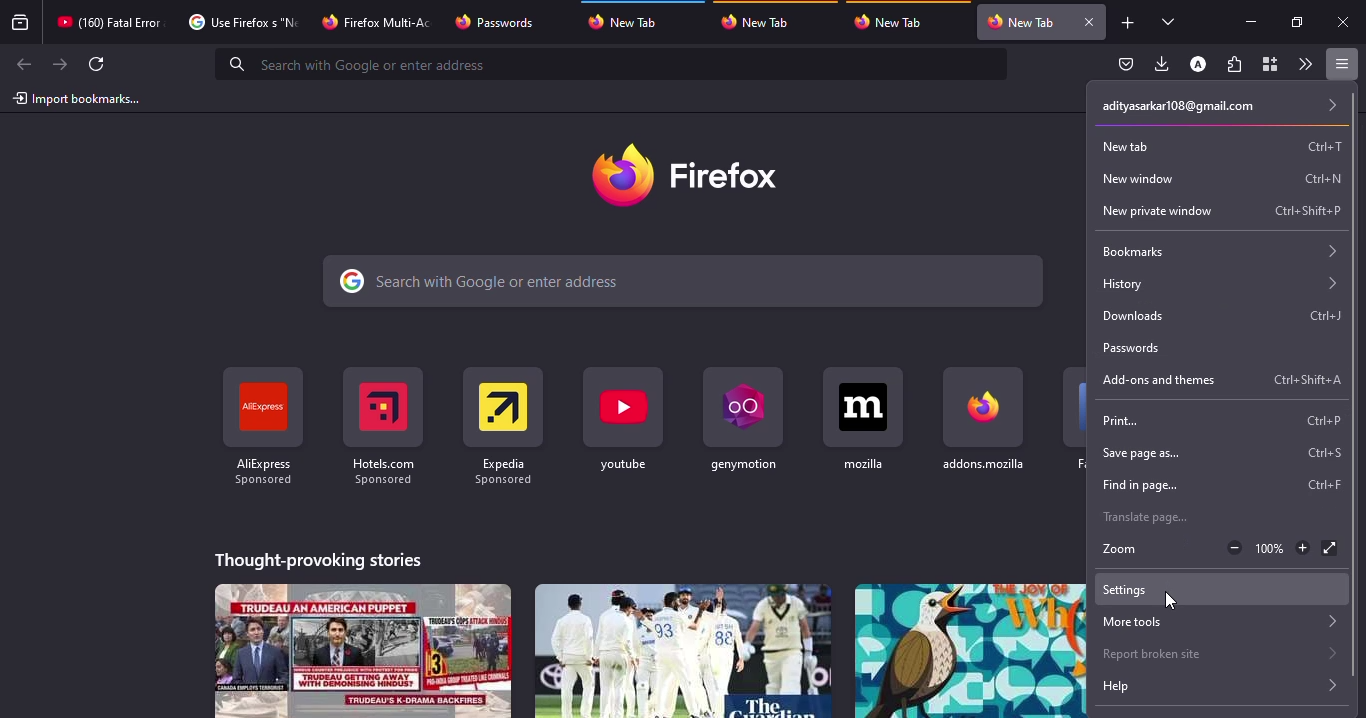 The image size is (1366, 718). Describe the element at coordinates (1355, 388) in the screenshot. I see `scroll bar` at that location.